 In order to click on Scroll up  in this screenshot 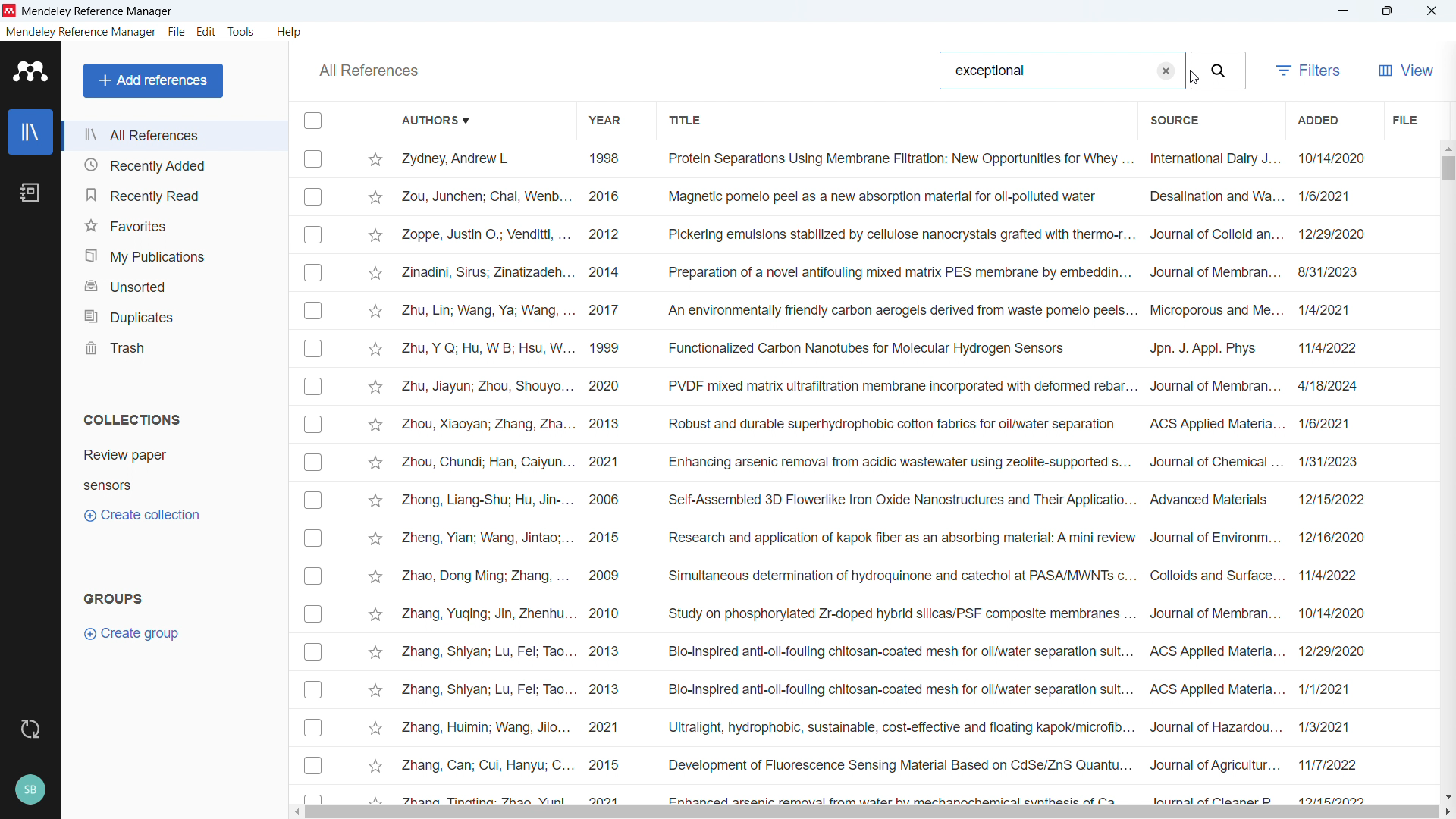, I will do `click(1447, 147)`.